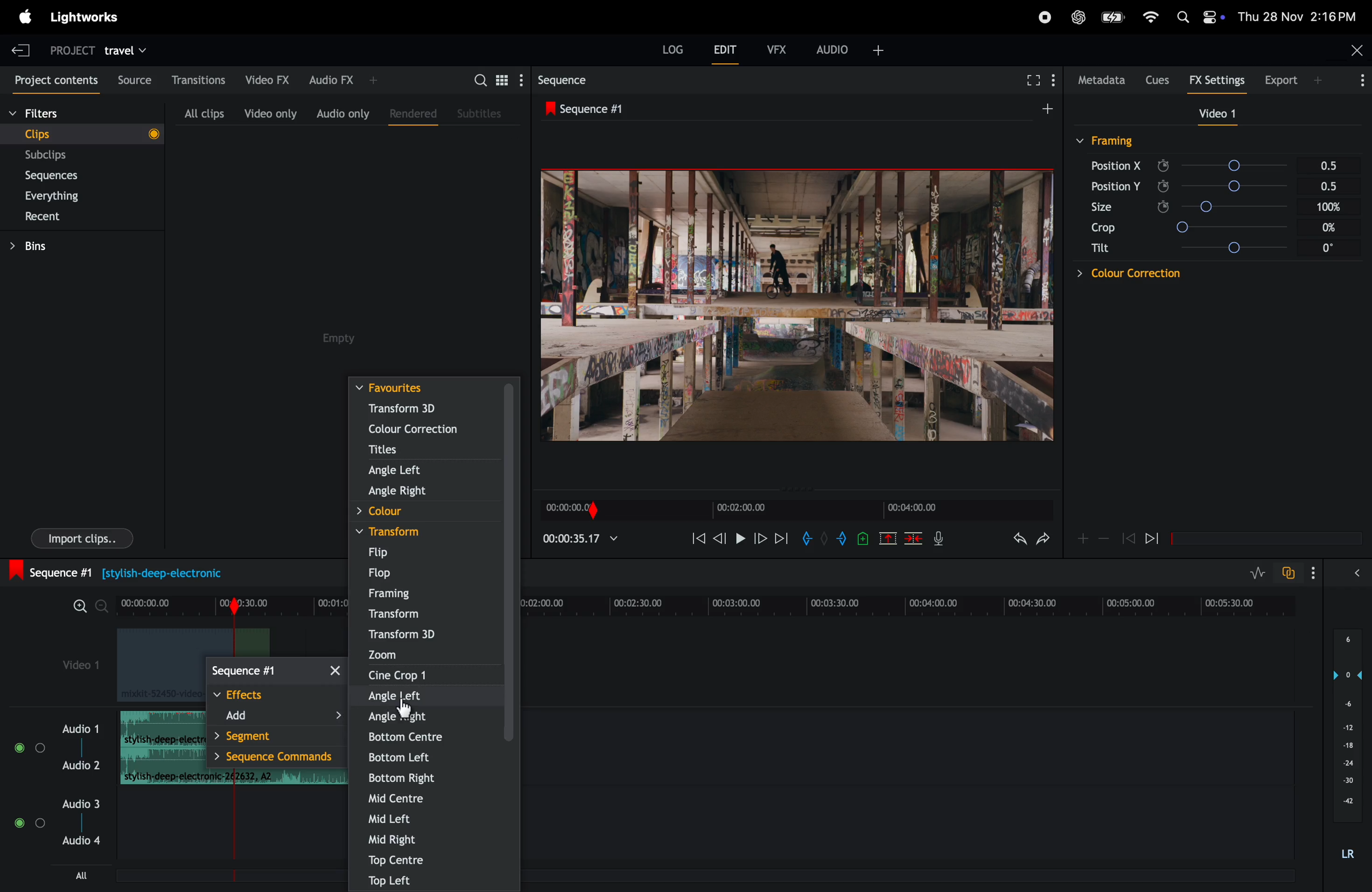  I want to click on size, so click(1111, 207).